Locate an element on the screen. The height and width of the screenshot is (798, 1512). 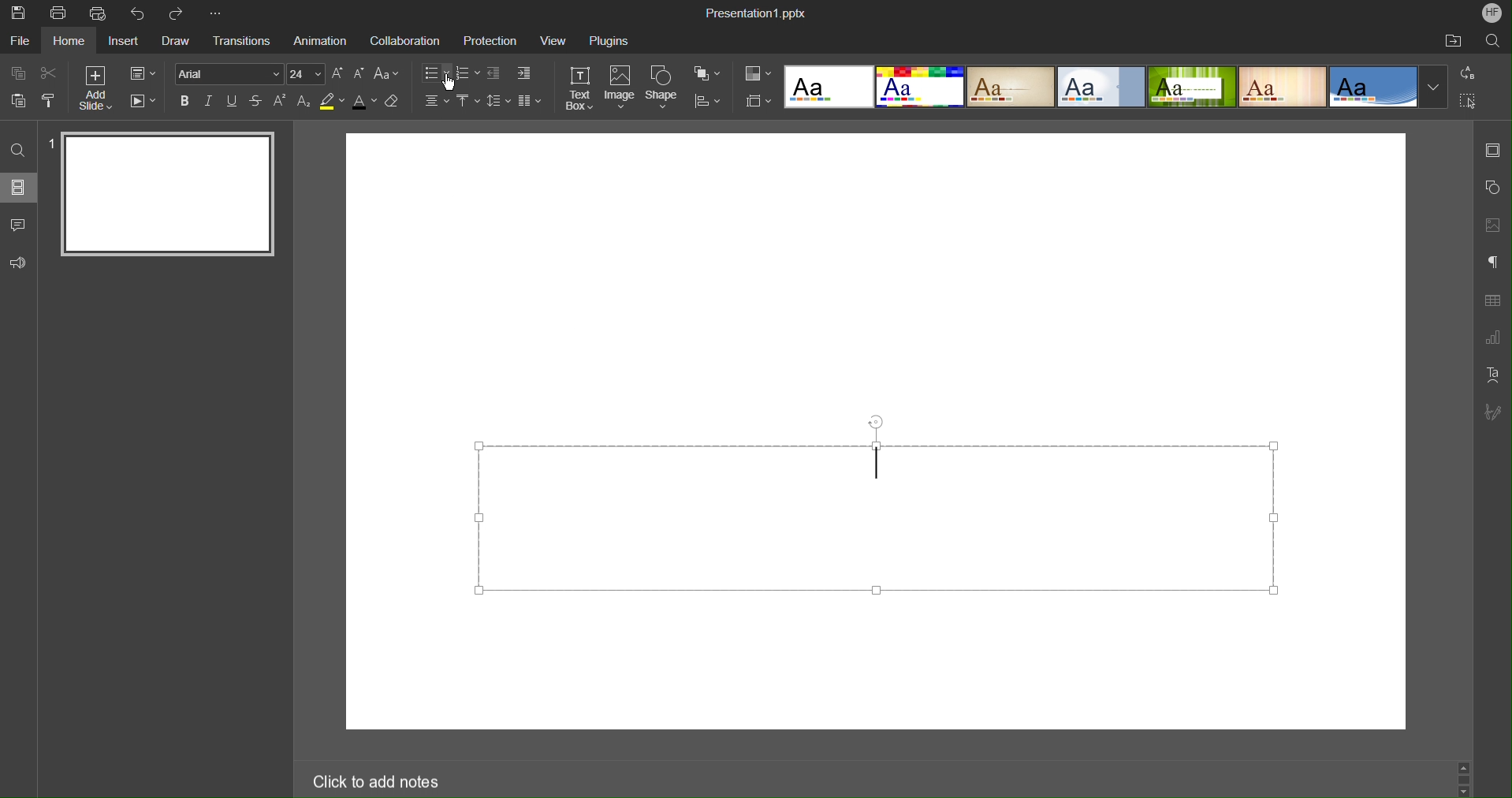
More templates is located at coordinates (1433, 88).